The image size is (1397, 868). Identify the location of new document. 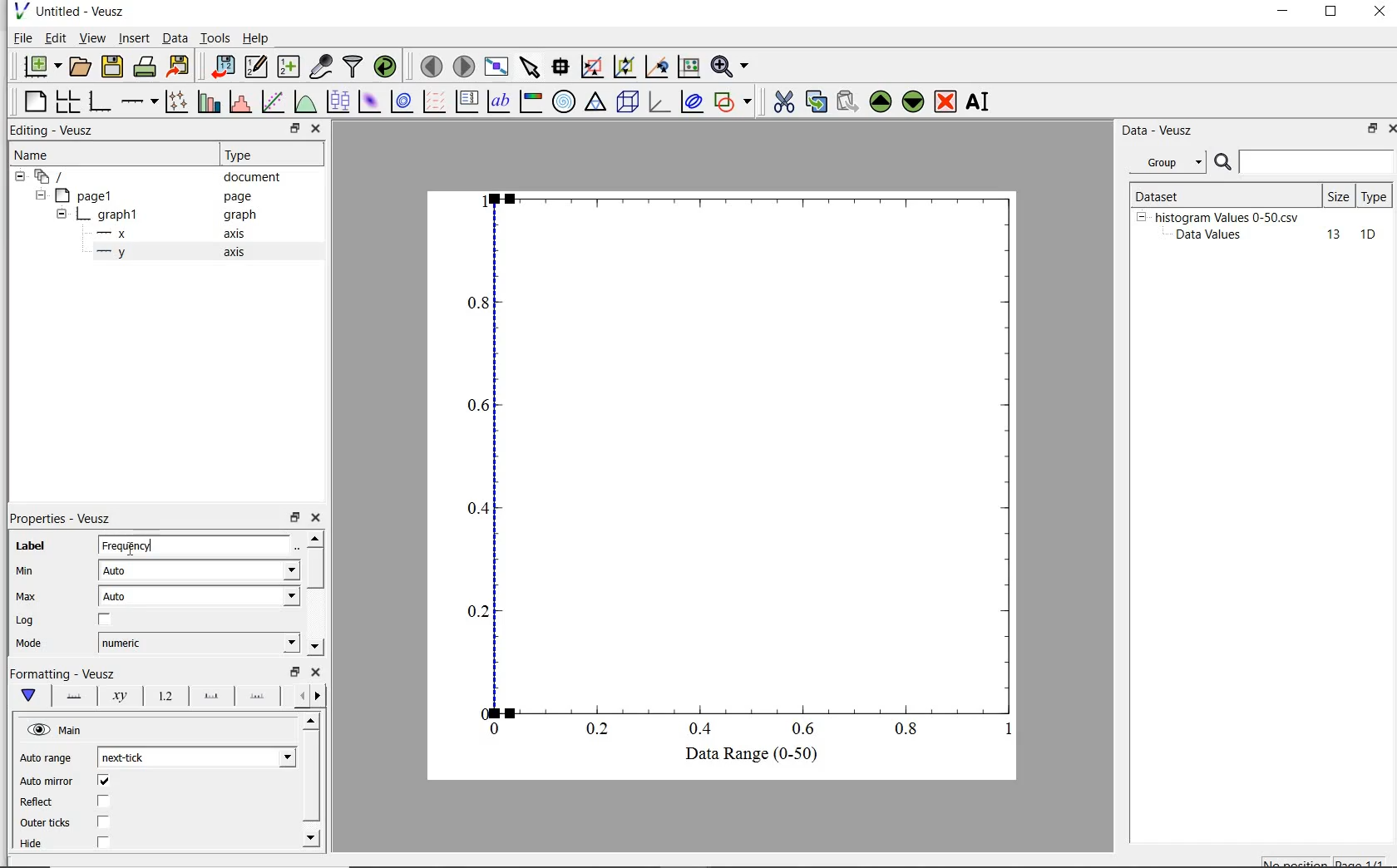
(41, 66).